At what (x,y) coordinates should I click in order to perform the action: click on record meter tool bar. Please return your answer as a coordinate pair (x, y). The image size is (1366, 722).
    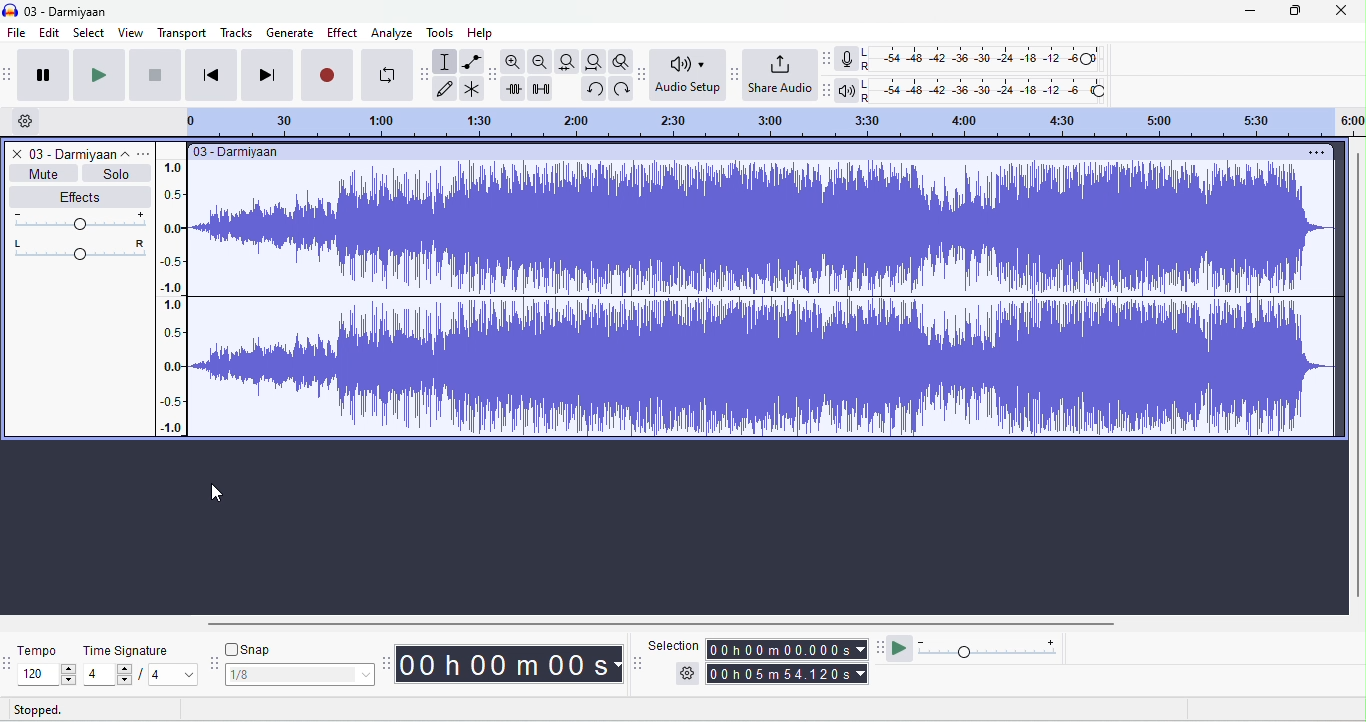
    Looking at the image, I should click on (828, 58).